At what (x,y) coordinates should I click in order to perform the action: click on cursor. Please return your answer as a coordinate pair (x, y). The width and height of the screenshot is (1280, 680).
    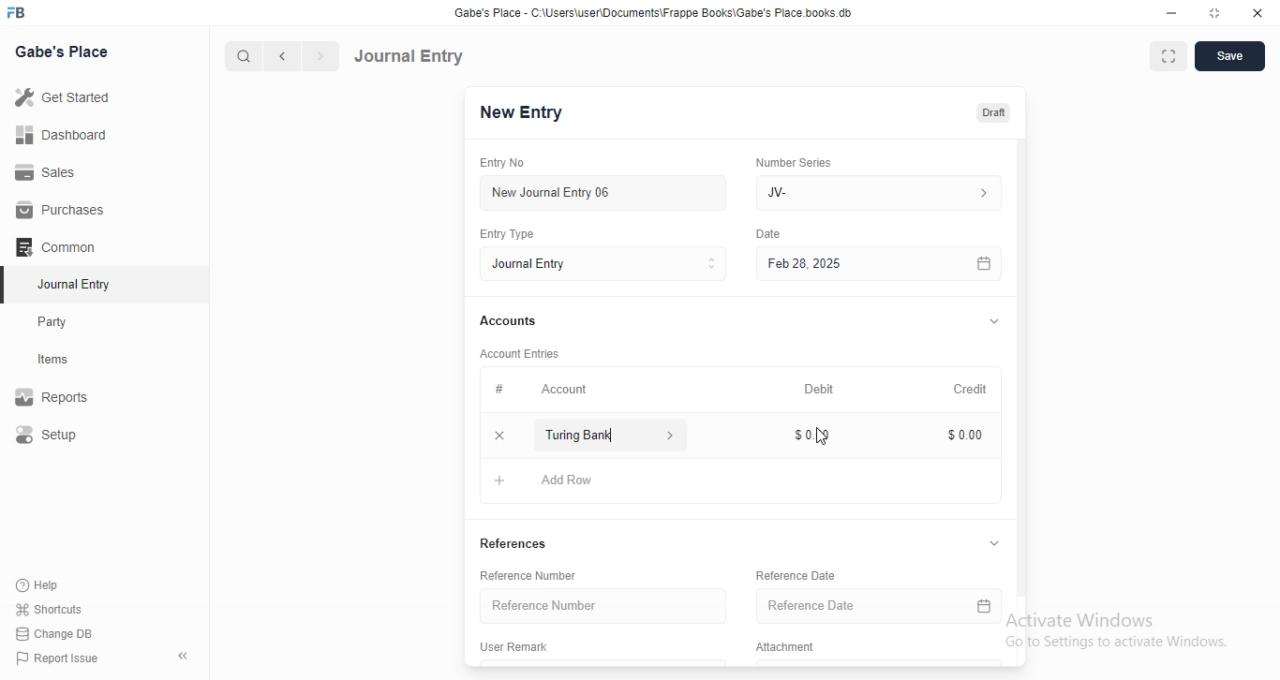
    Looking at the image, I should click on (820, 437).